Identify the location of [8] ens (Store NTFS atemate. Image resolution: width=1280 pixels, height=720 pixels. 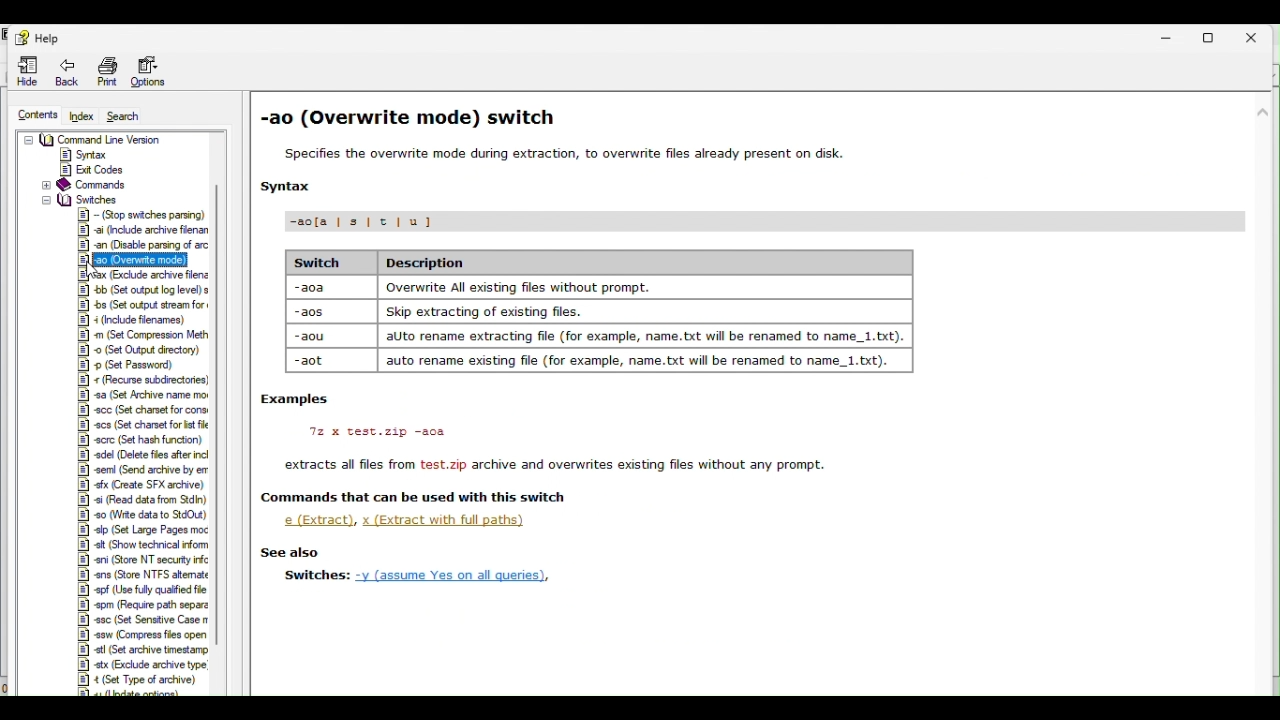
(143, 573).